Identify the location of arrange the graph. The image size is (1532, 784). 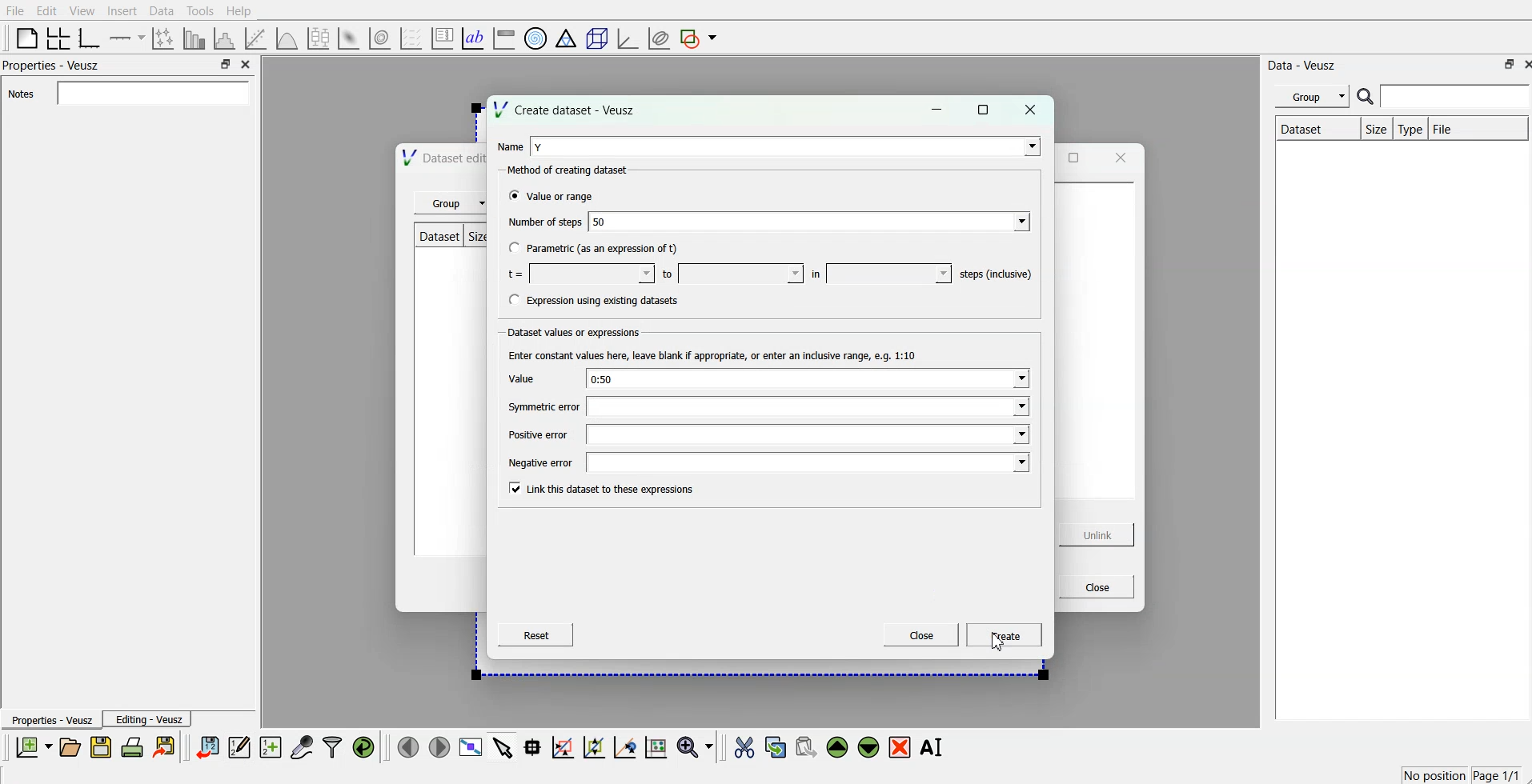
(59, 37).